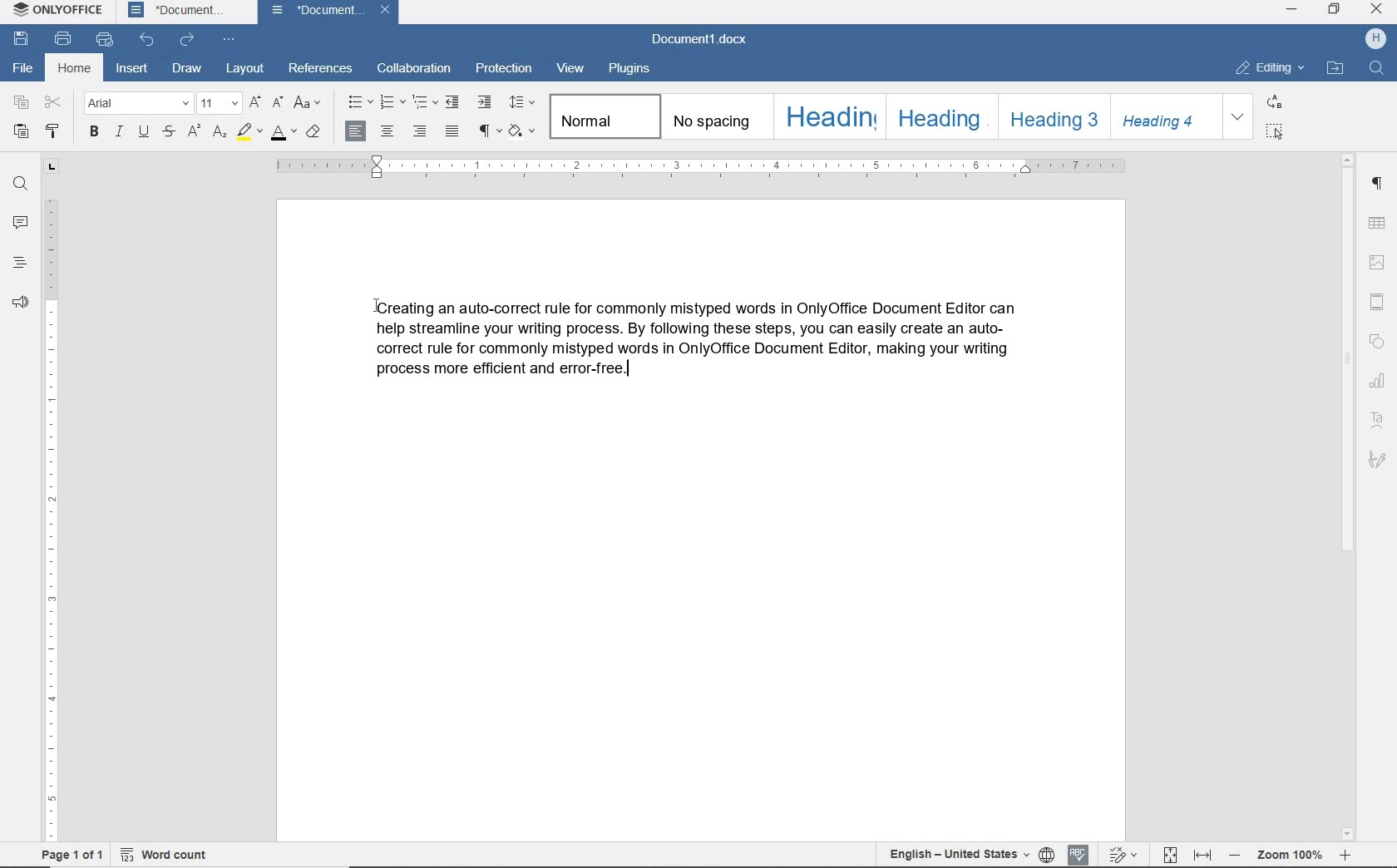 The height and width of the screenshot is (868, 1397). Describe the element at coordinates (705, 40) in the screenshot. I see `document name` at that location.